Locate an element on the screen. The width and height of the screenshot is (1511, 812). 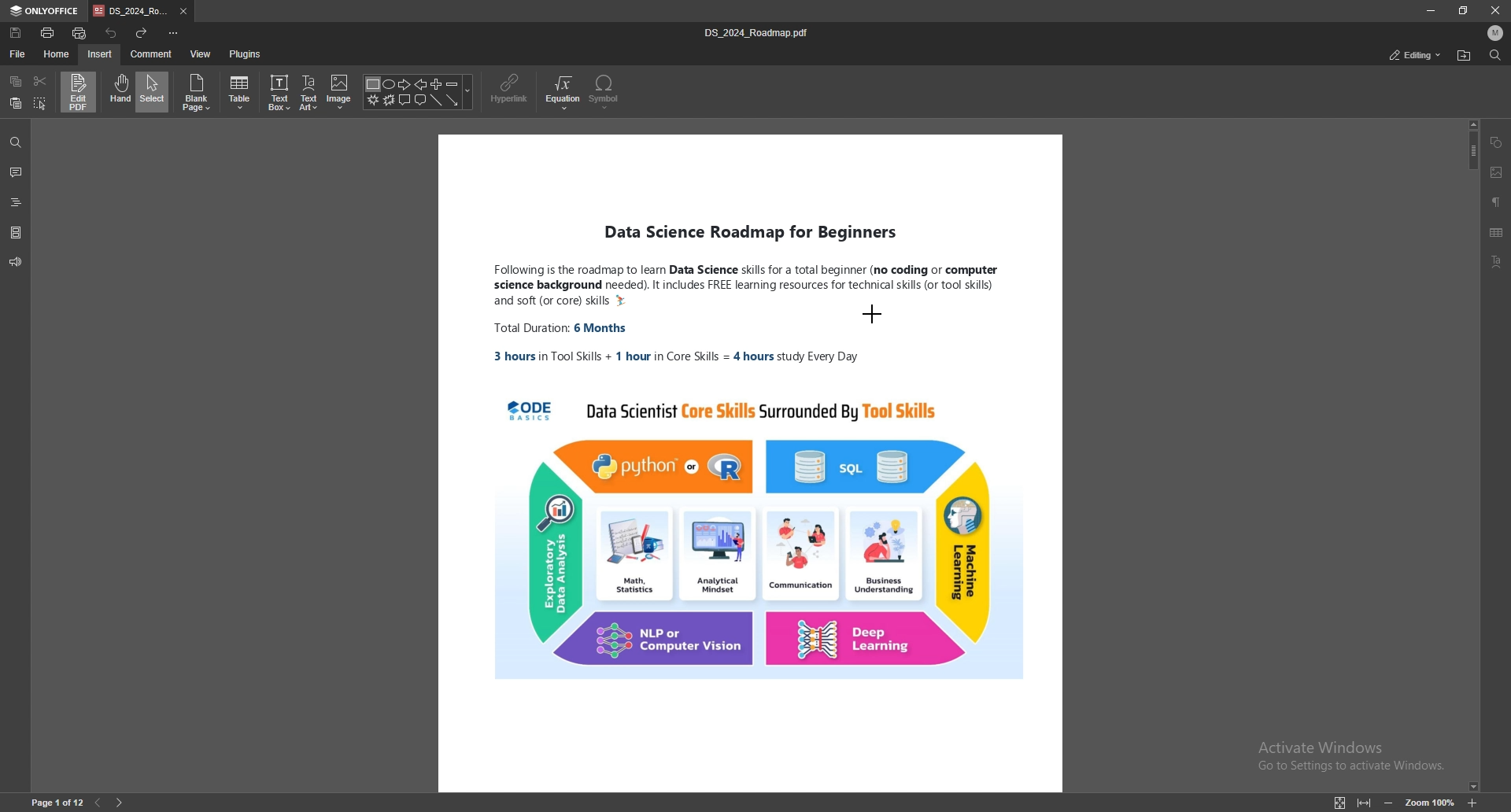
pages is located at coordinates (16, 231).